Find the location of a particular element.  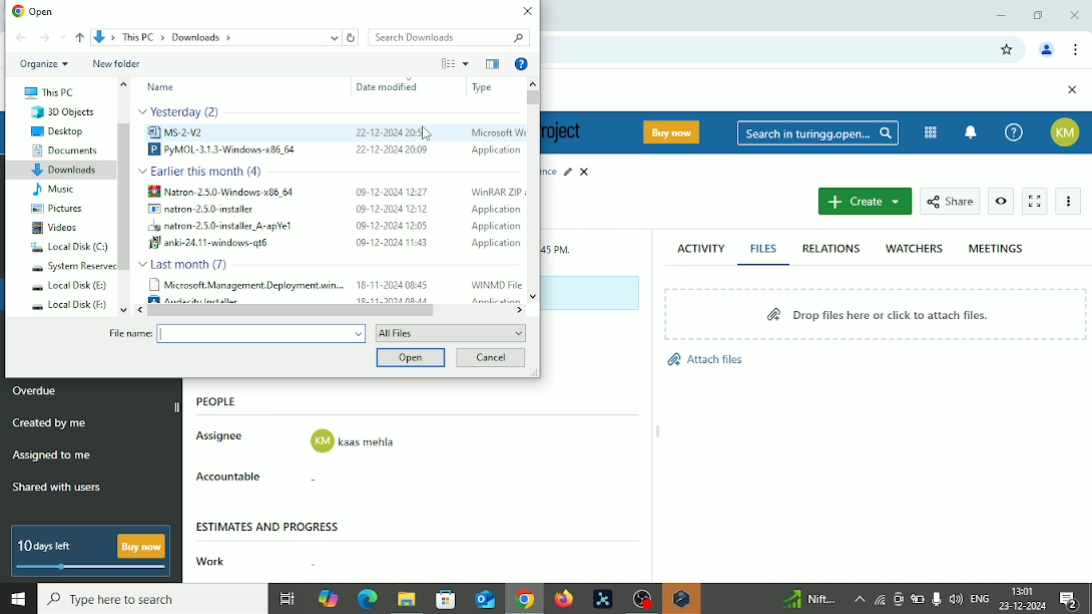

Notifications is located at coordinates (1075, 600).